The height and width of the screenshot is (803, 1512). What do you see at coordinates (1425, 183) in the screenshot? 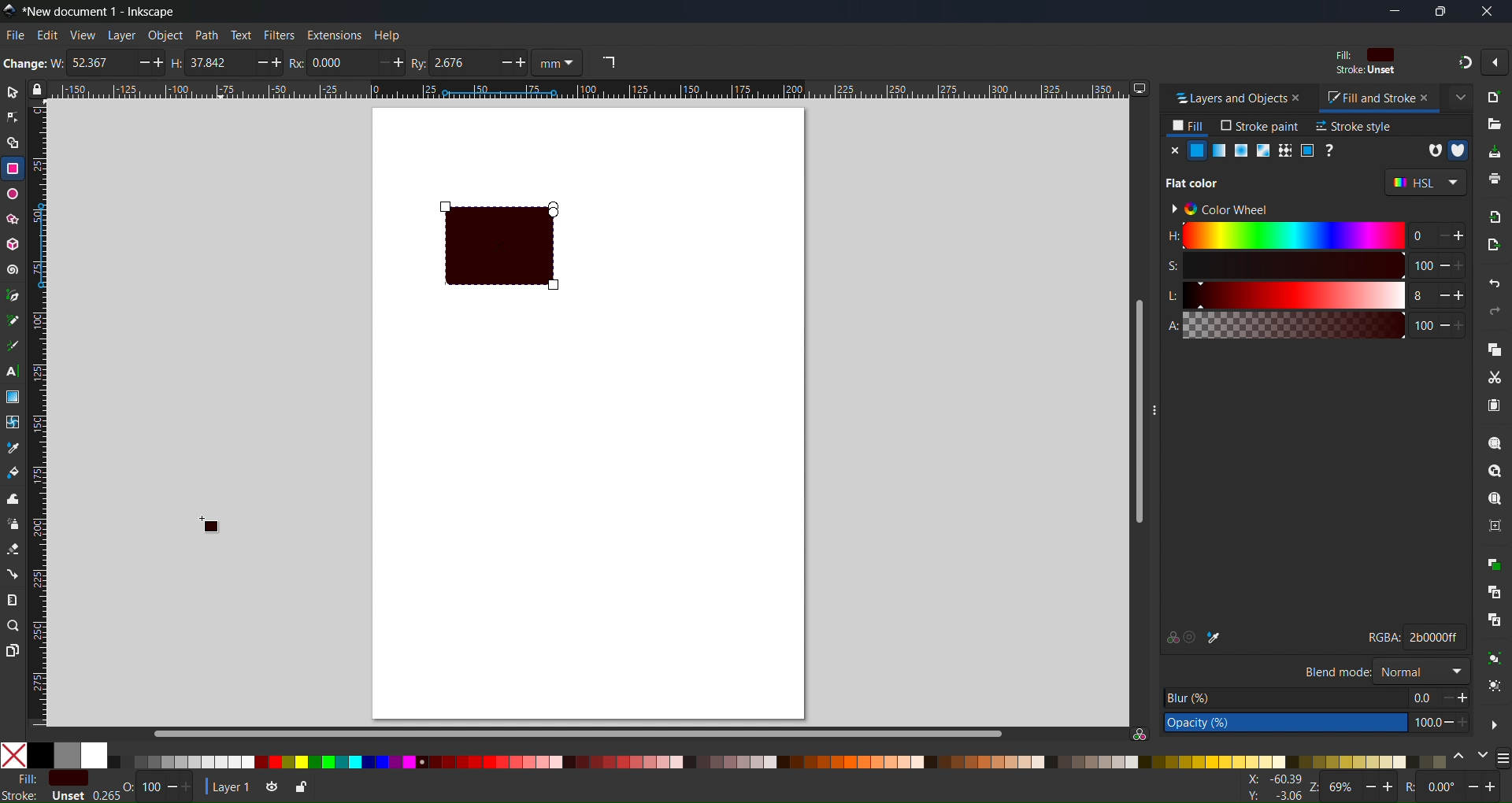
I see `HSL Color` at bounding box center [1425, 183].